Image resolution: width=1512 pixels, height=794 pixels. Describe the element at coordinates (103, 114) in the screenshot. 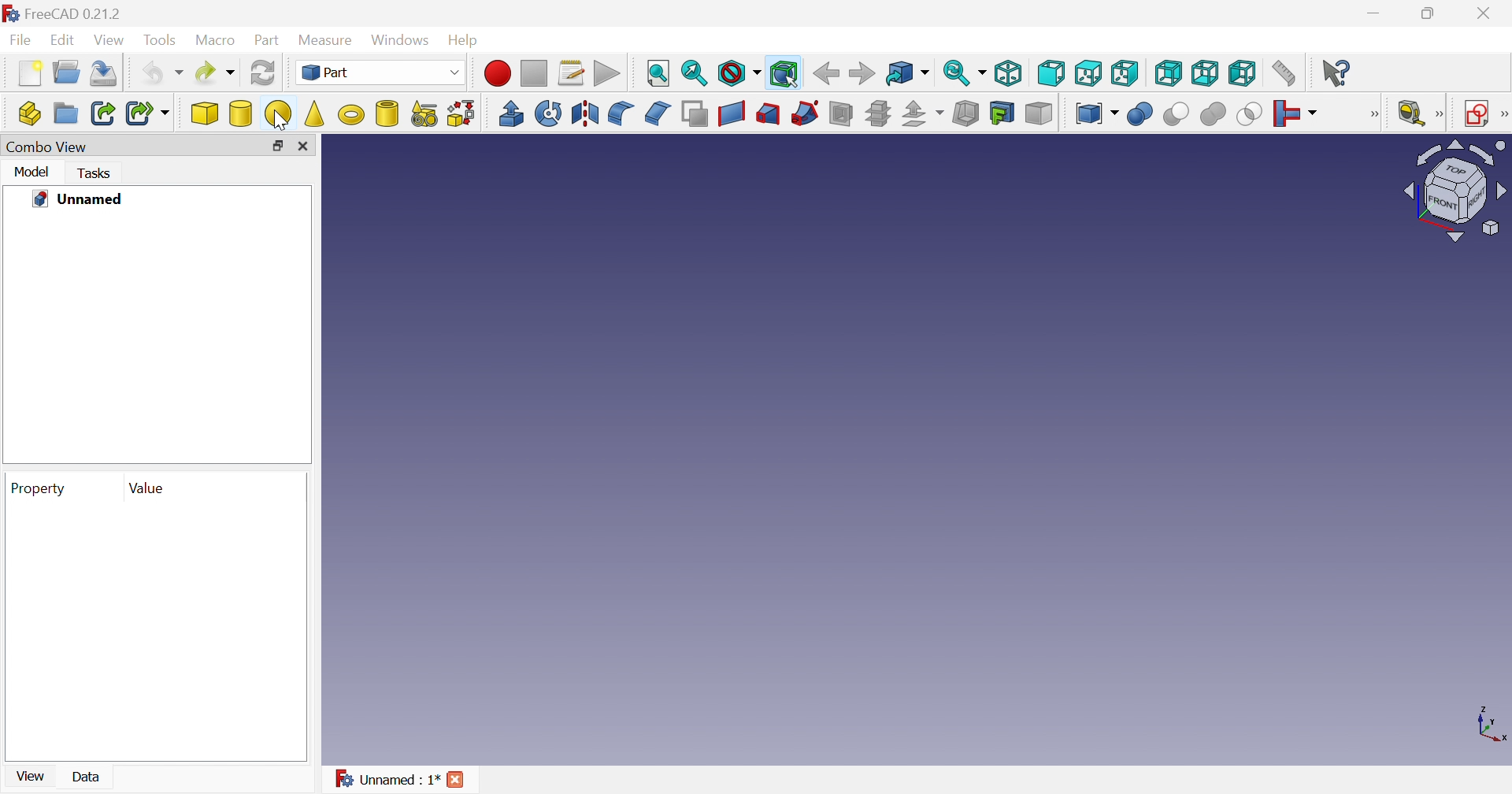

I see `Make link` at that location.